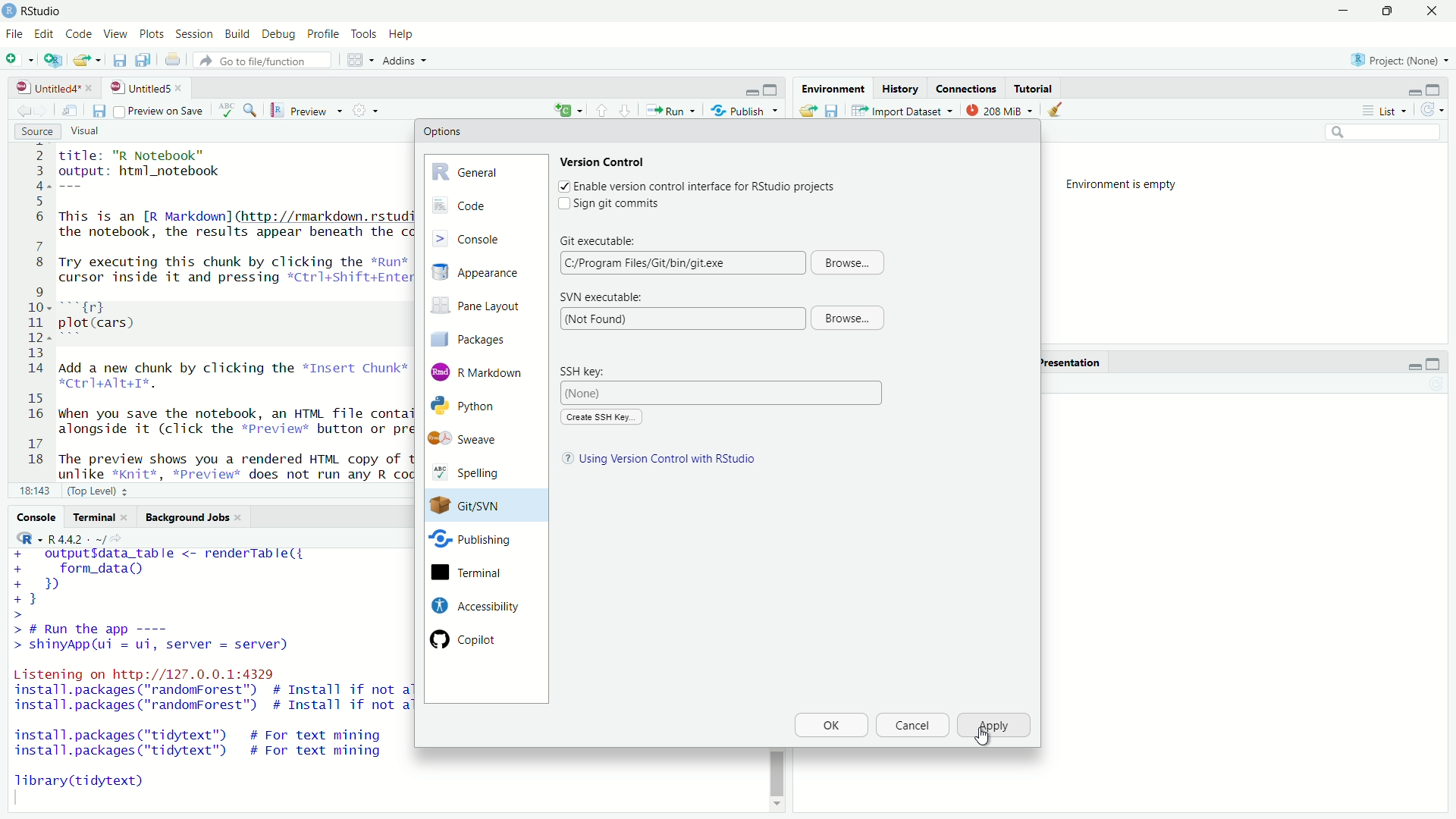 The image size is (1456, 819). What do you see at coordinates (481, 338) in the screenshot?
I see `Packages` at bounding box center [481, 338].